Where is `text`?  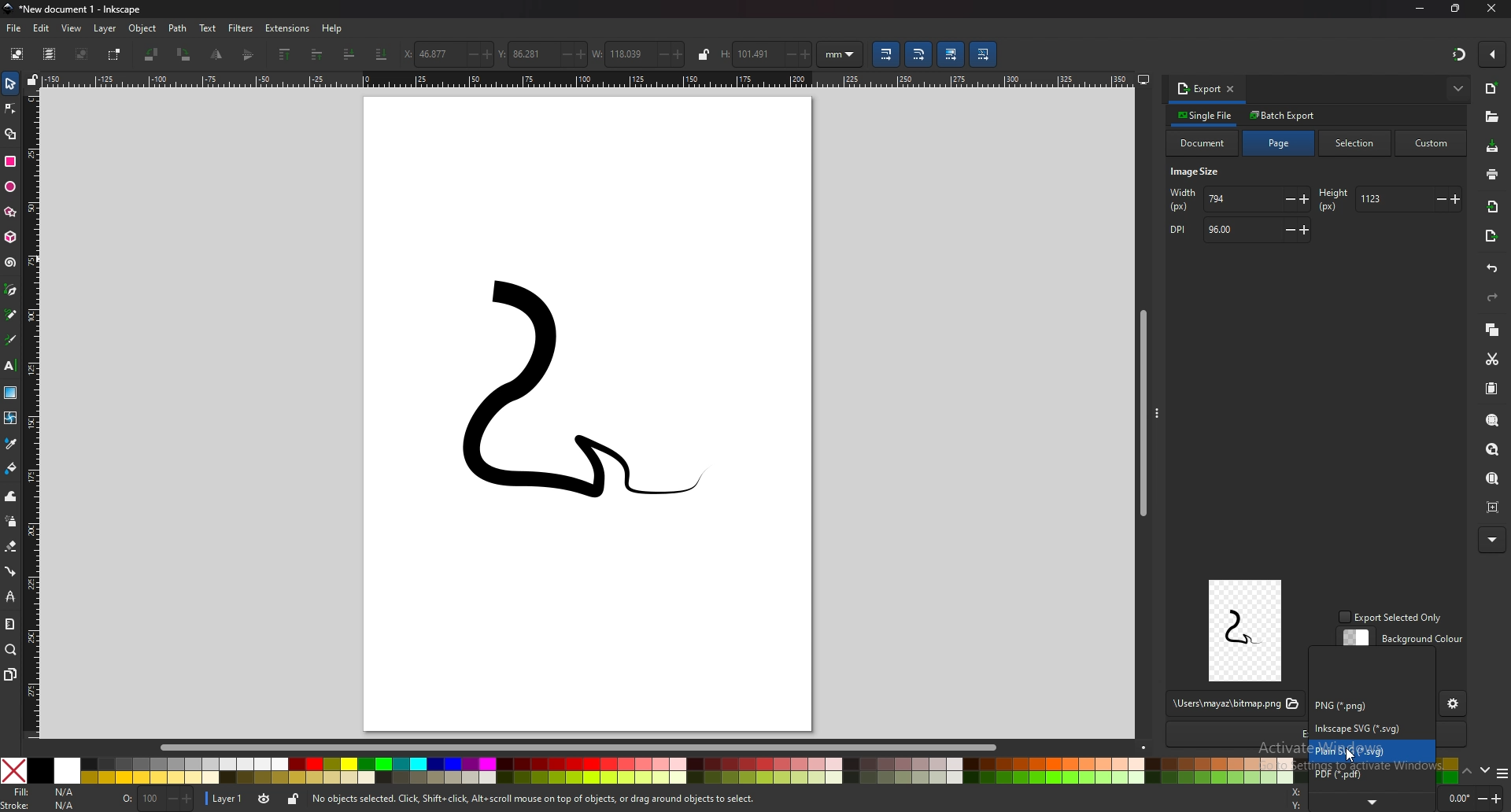 text is located at coordinates (209, 28).